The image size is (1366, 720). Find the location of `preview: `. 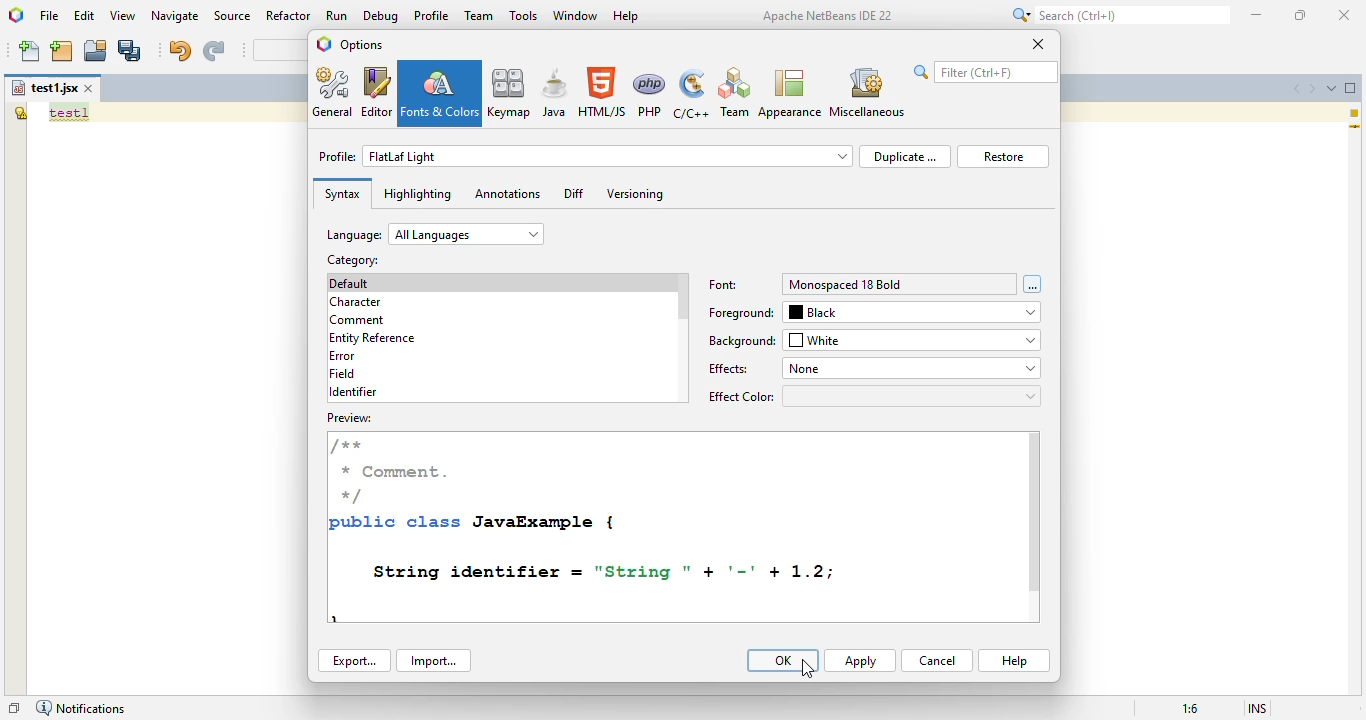

preview:  is located at coordinates (352, 418).